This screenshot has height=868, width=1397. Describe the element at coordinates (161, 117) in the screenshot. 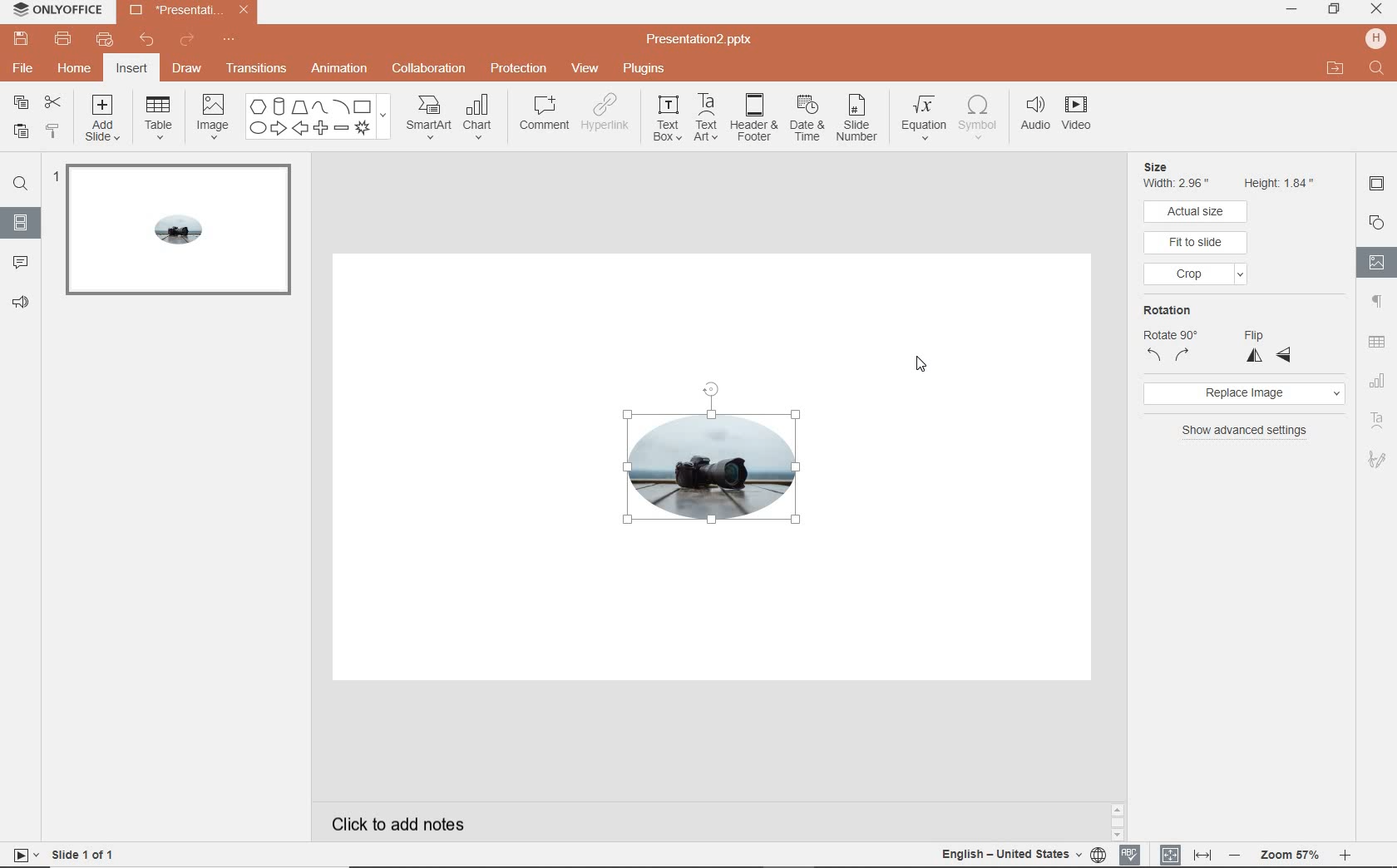

I see `table` at that location.